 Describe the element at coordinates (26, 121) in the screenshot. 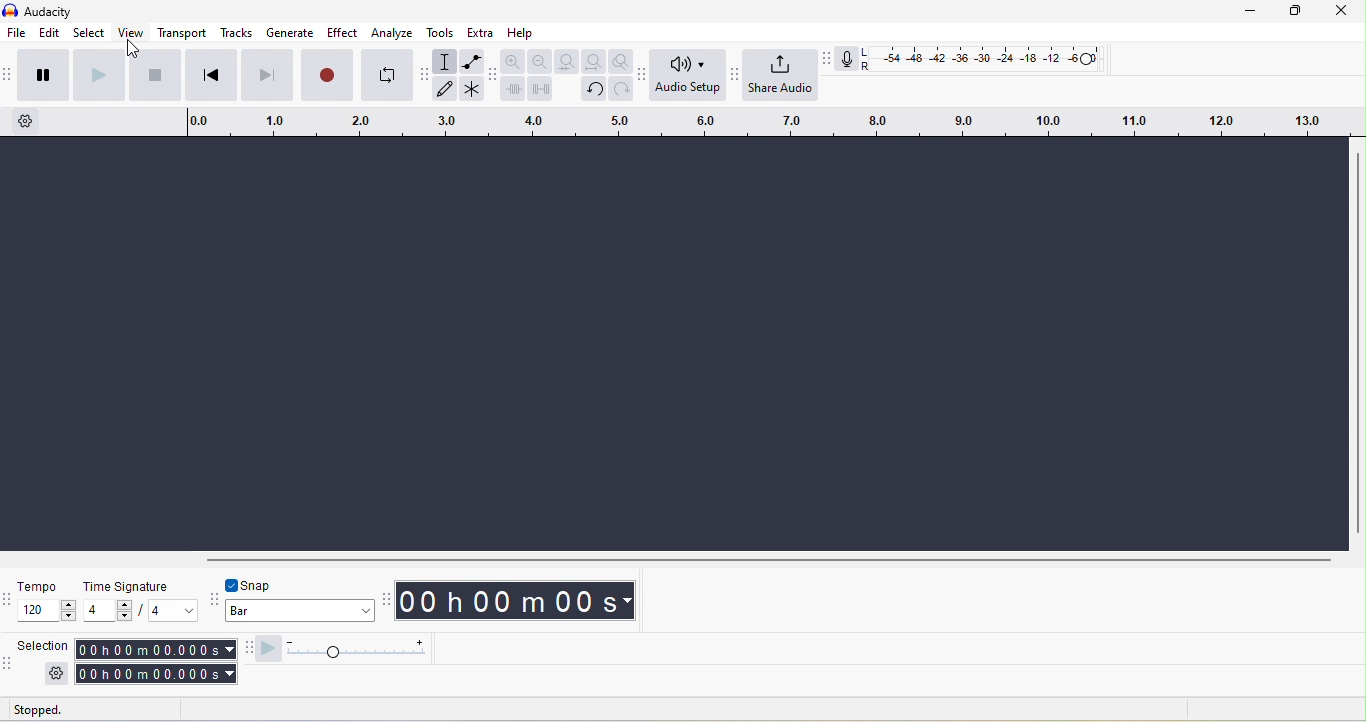

I see `timeline settings` at that location.